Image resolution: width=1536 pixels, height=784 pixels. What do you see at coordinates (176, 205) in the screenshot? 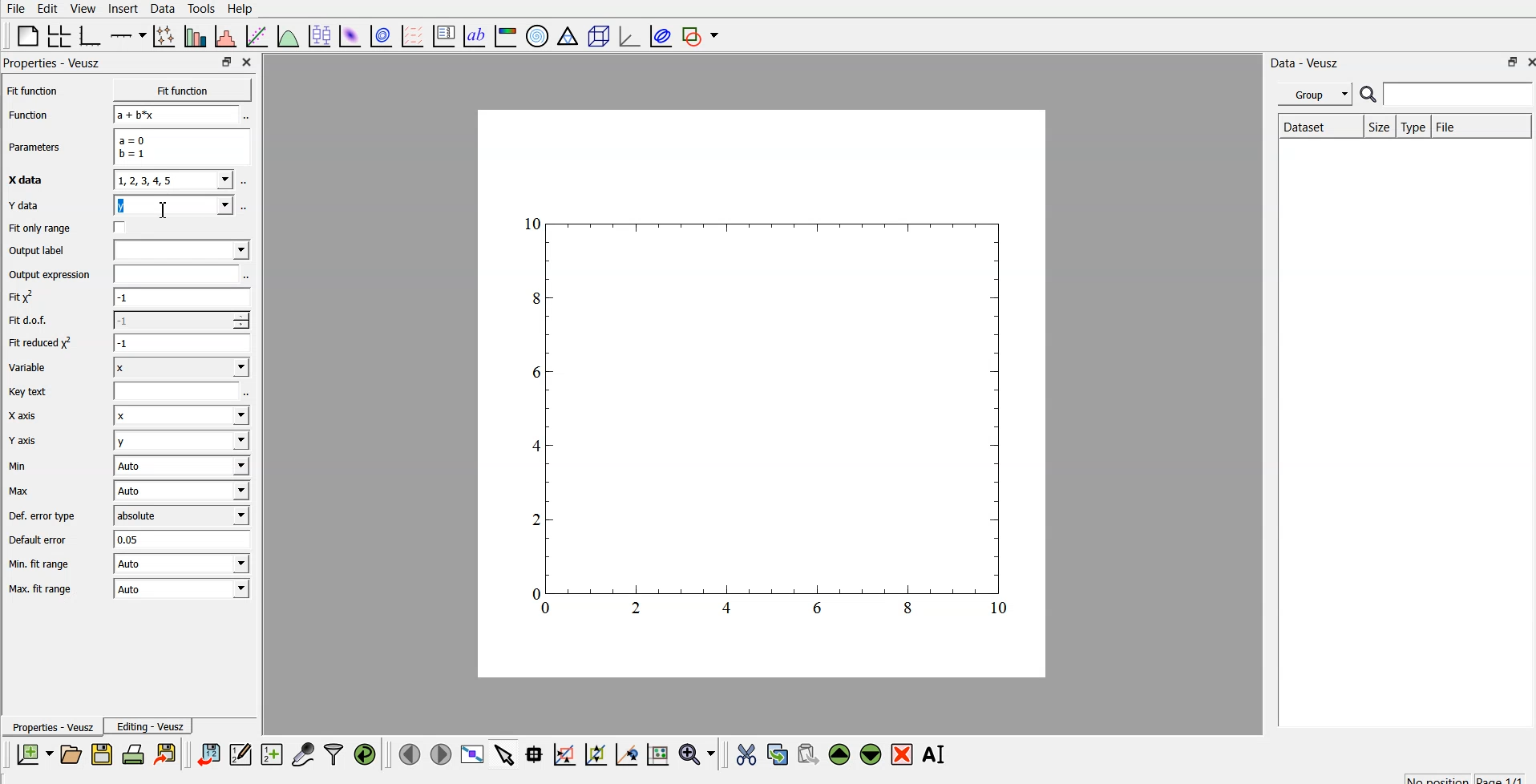
I see `y` at bounding box center [176, 205].